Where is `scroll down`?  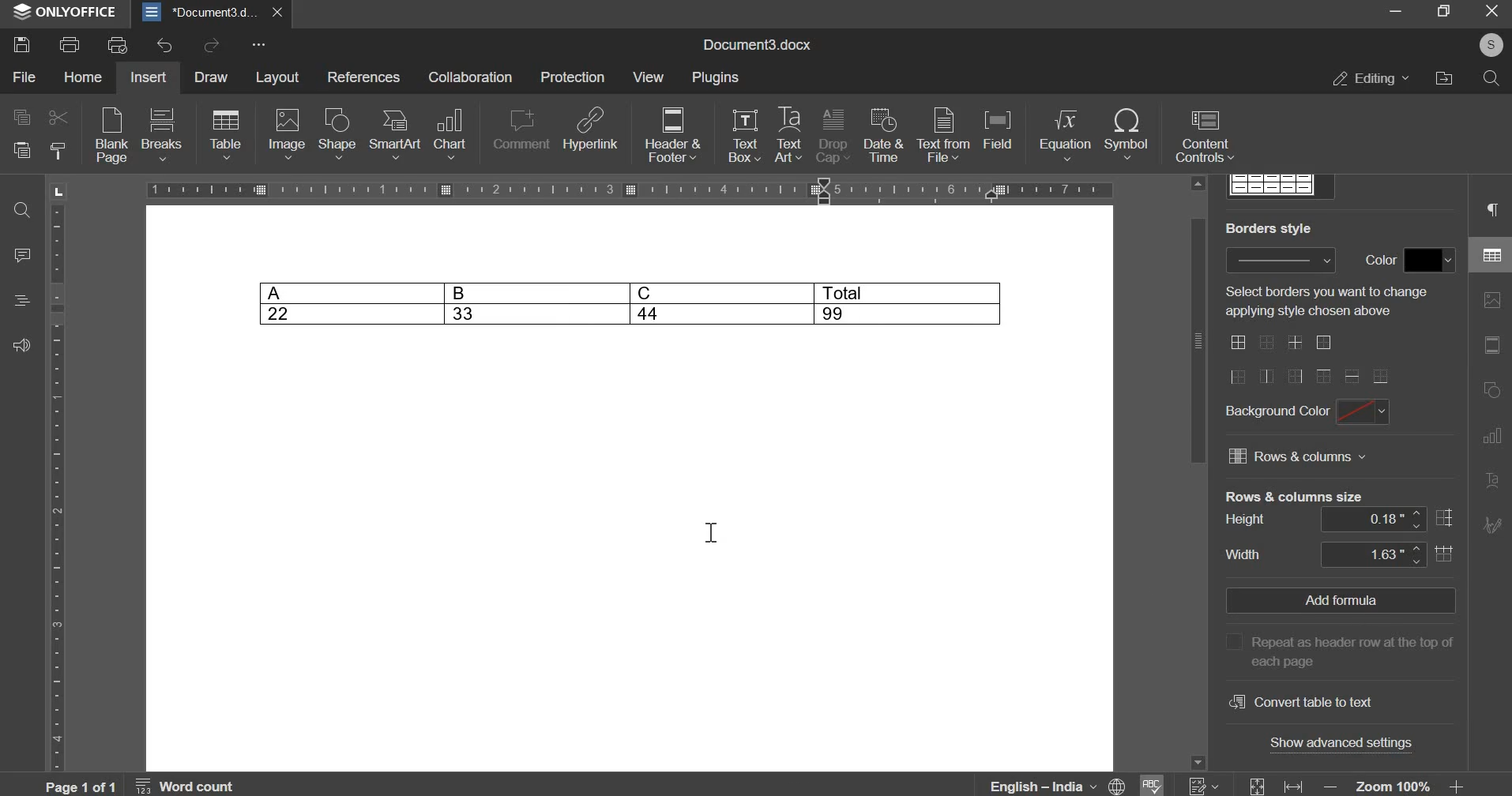 scroll down is located at coordinates (1198, 763).